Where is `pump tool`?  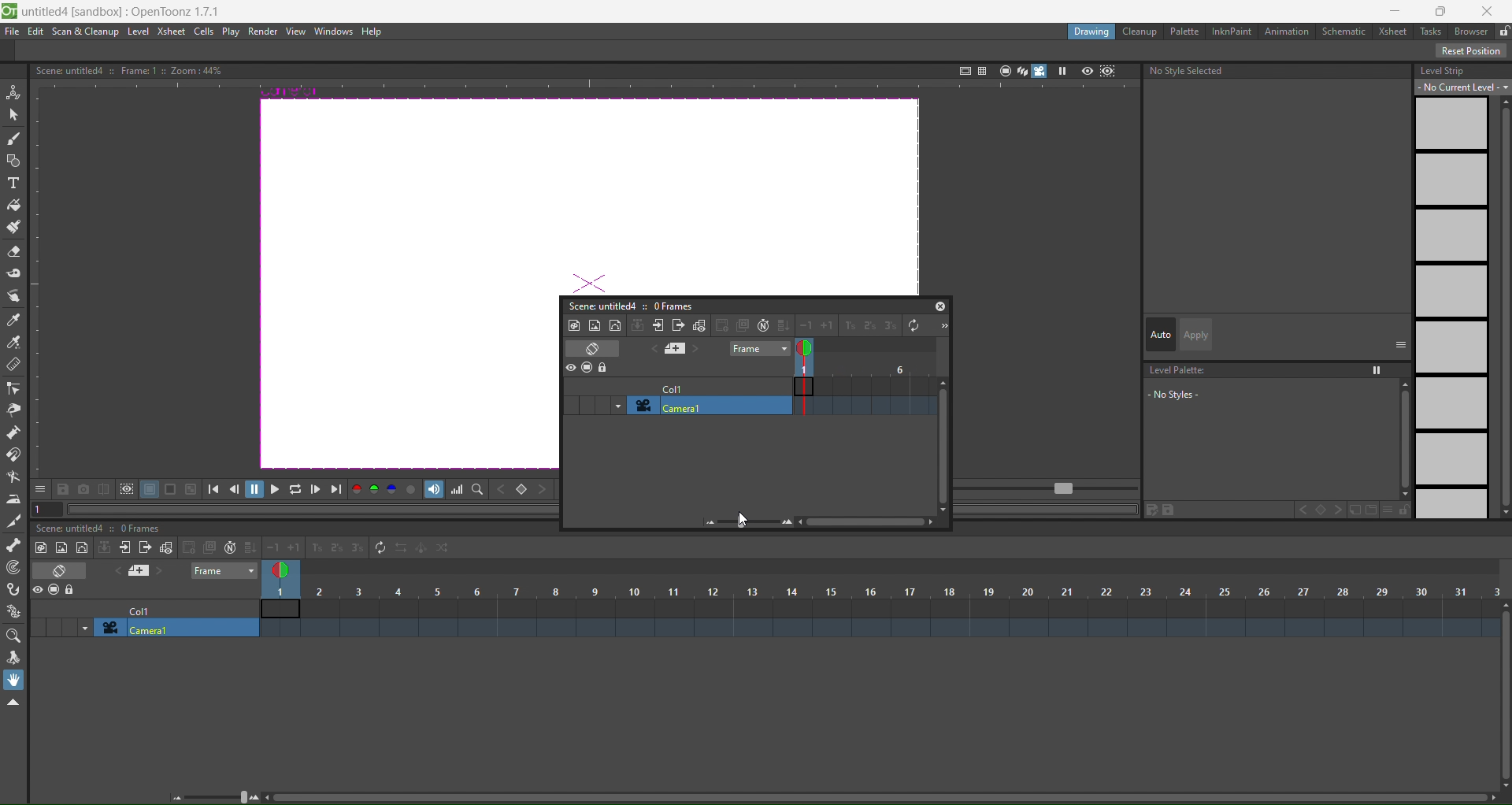 pump tool is located at coordinates (15, 432).